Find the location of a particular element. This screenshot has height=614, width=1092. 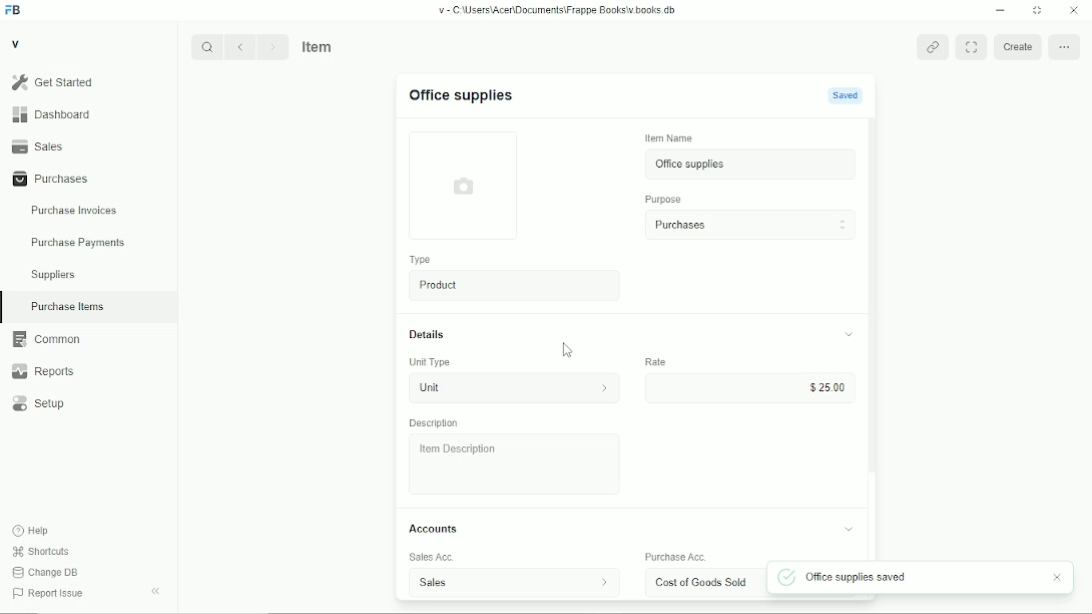

item description is located at coordinates (515, 464).